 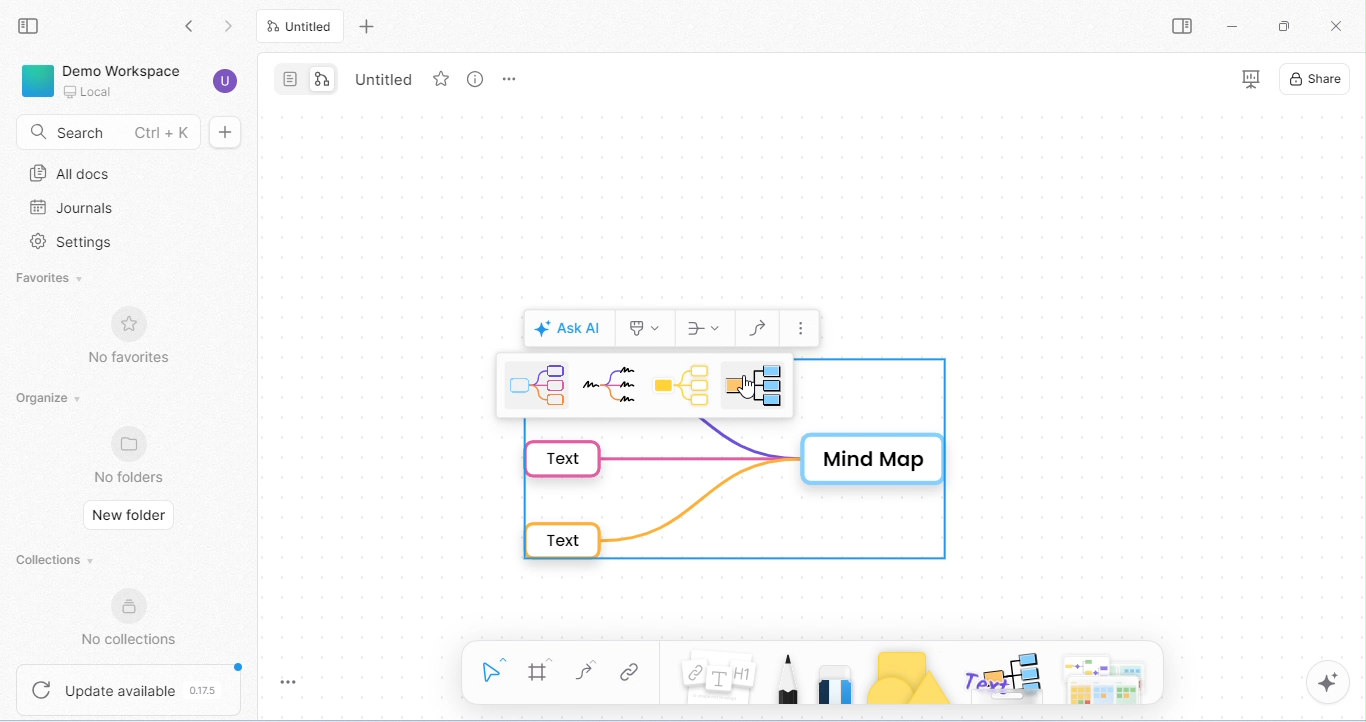 I want to click on favorite, so click(x=444, y=79).